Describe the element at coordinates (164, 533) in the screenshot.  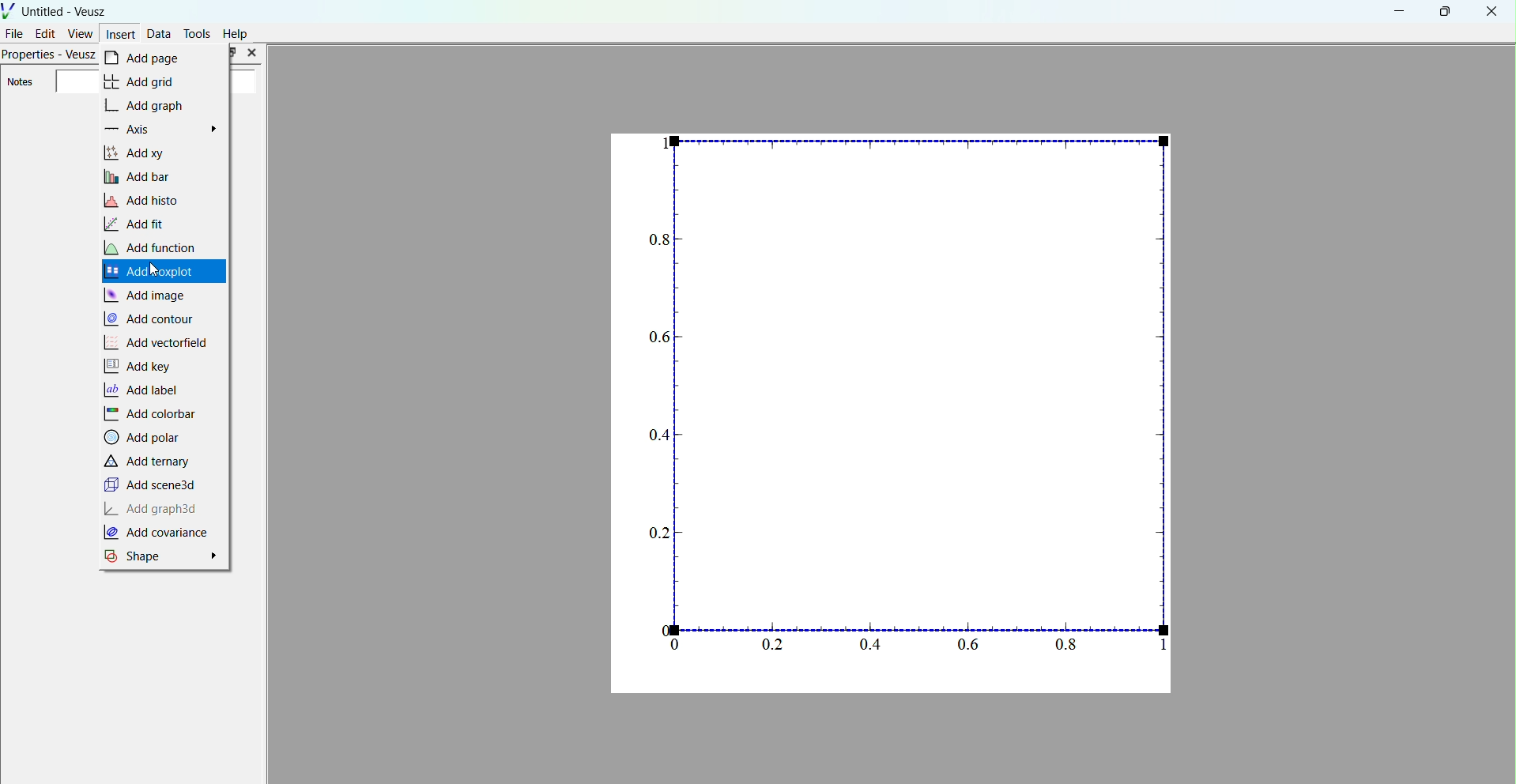
I see `Add covariance` at that location.